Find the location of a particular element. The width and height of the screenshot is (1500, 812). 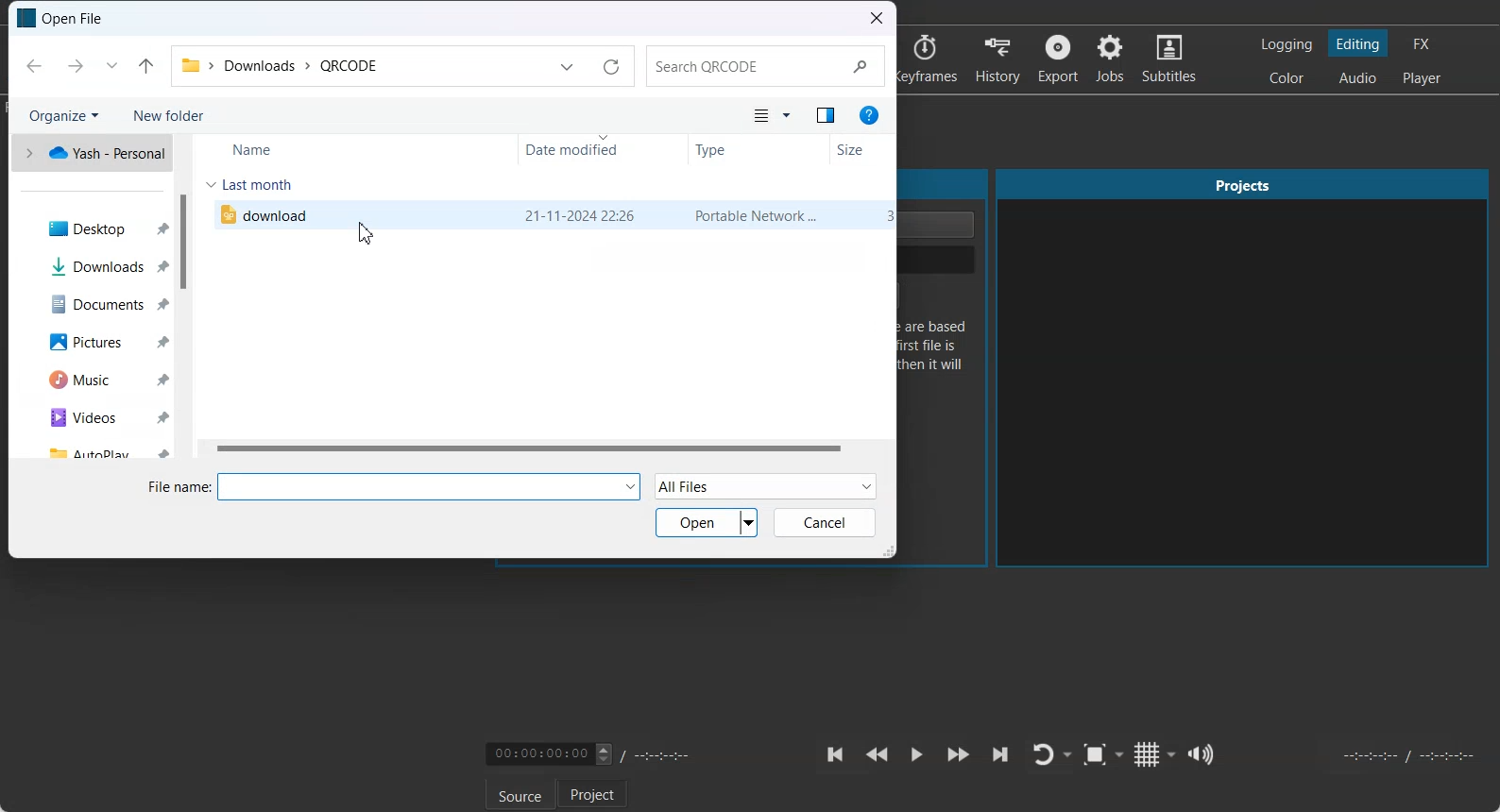

Documents is located at coordinates (92, 305).